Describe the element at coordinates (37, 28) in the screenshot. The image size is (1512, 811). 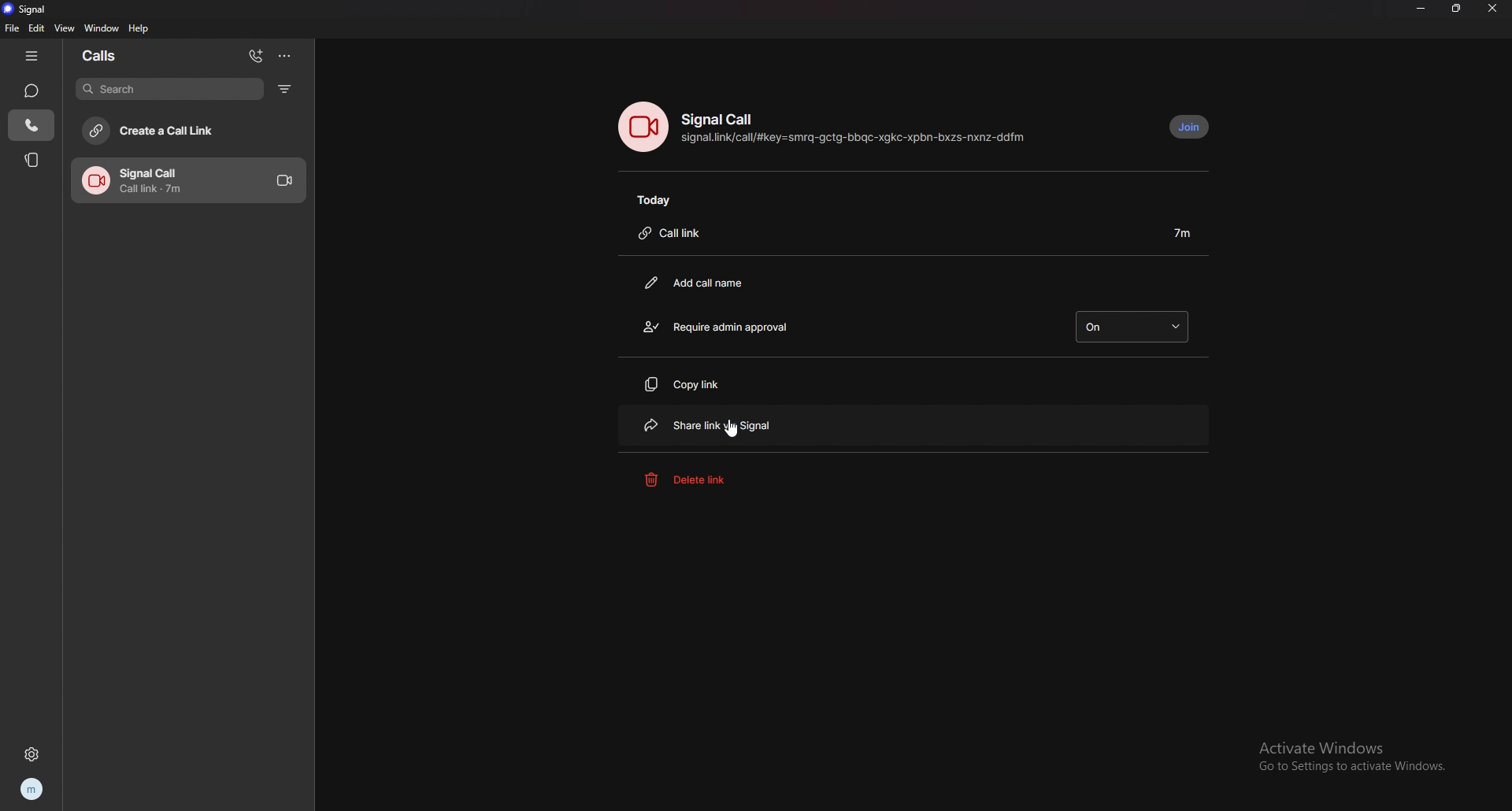
I see `edit` at that location.